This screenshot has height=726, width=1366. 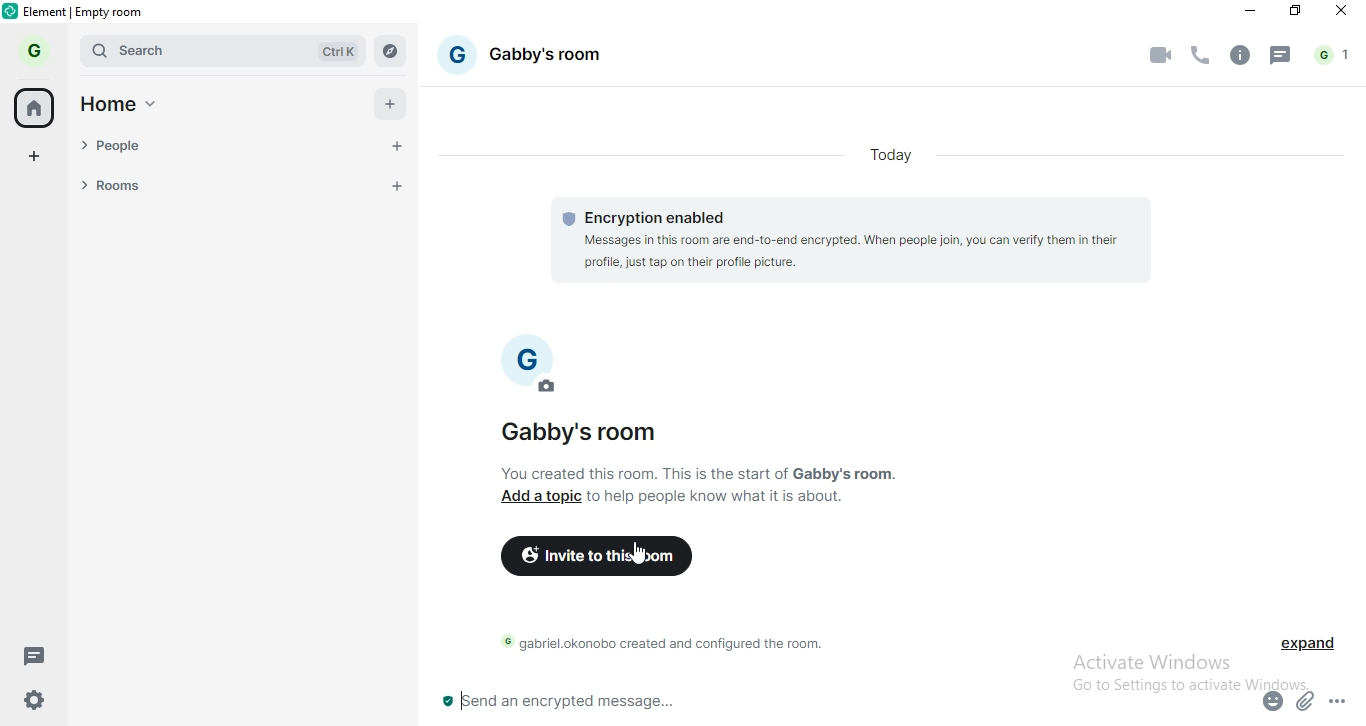 What do you see at coordinates (37, 50) in the screenshot?
I see `G` at bounding box center [37, 50].